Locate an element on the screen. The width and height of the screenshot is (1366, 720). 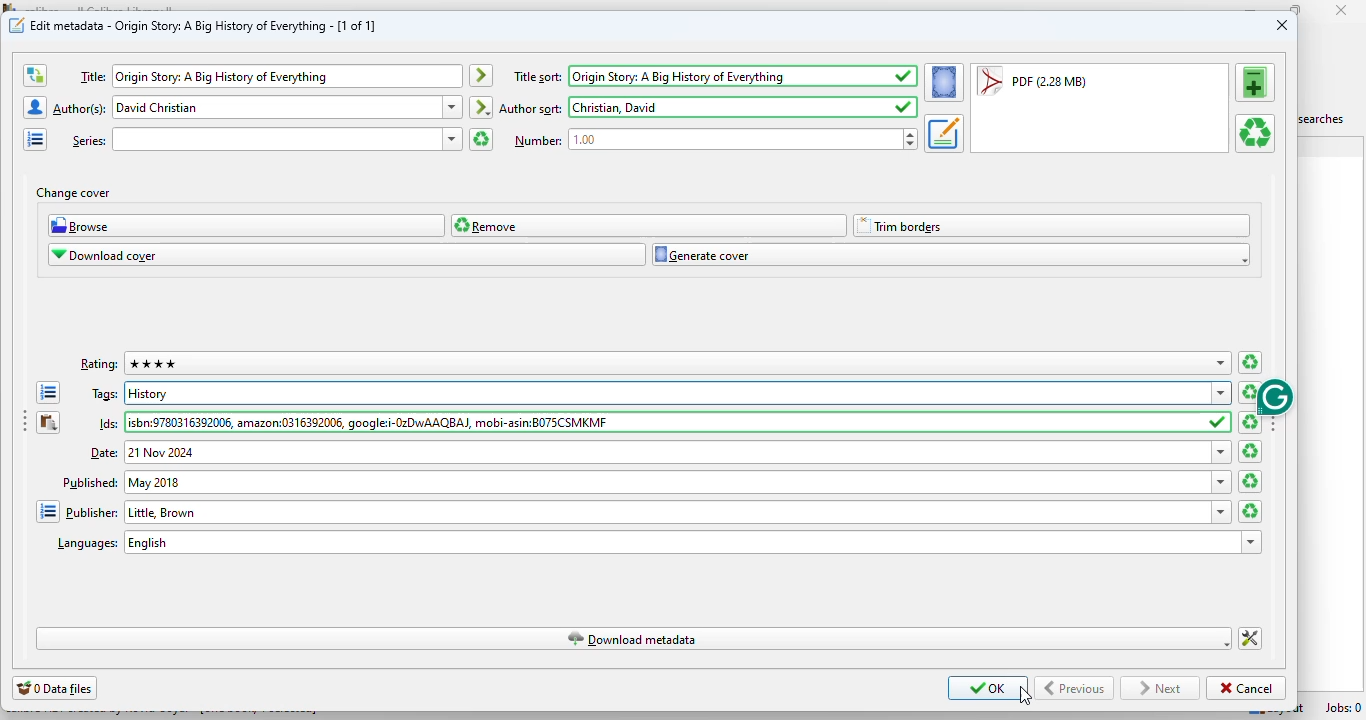
text is located at coordinates (81, 108).